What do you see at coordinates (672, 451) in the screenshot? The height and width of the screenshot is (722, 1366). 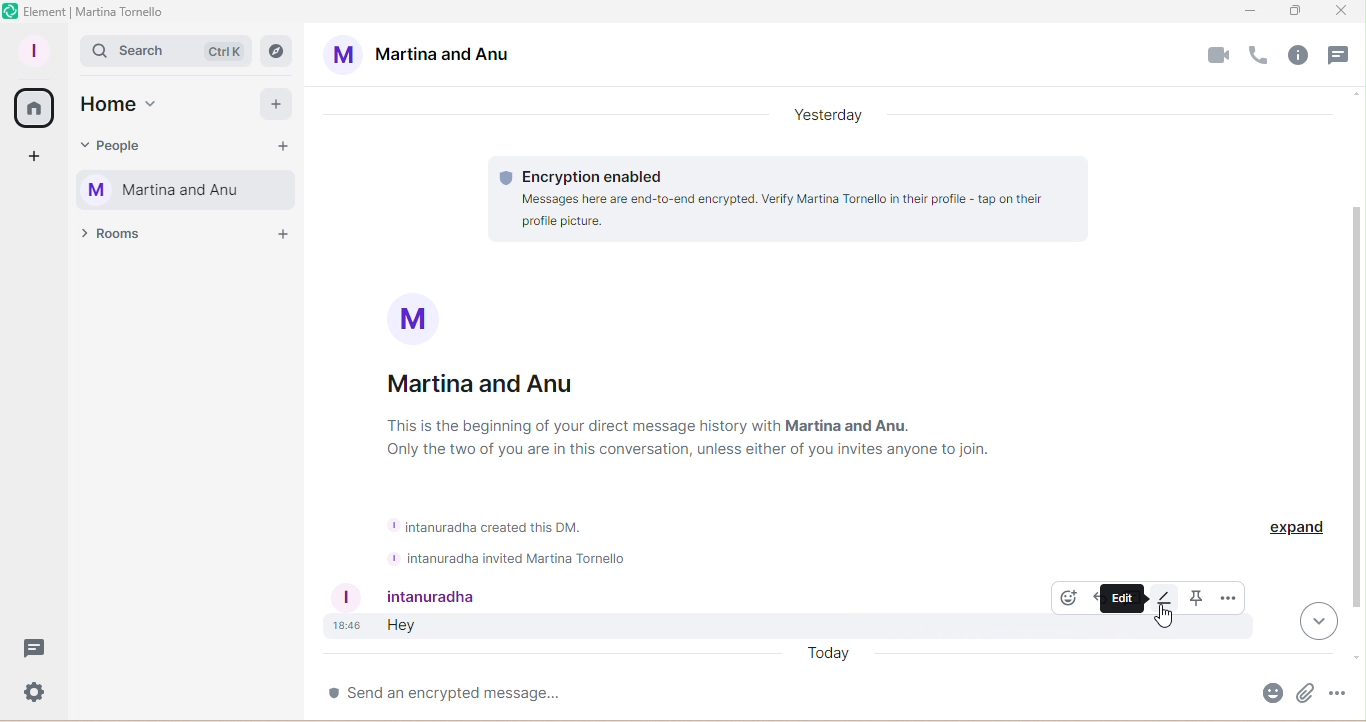 I see `Only the two of you are in this conversation, unless either of you invites anyone to join.` at bounding box center [672, 451].